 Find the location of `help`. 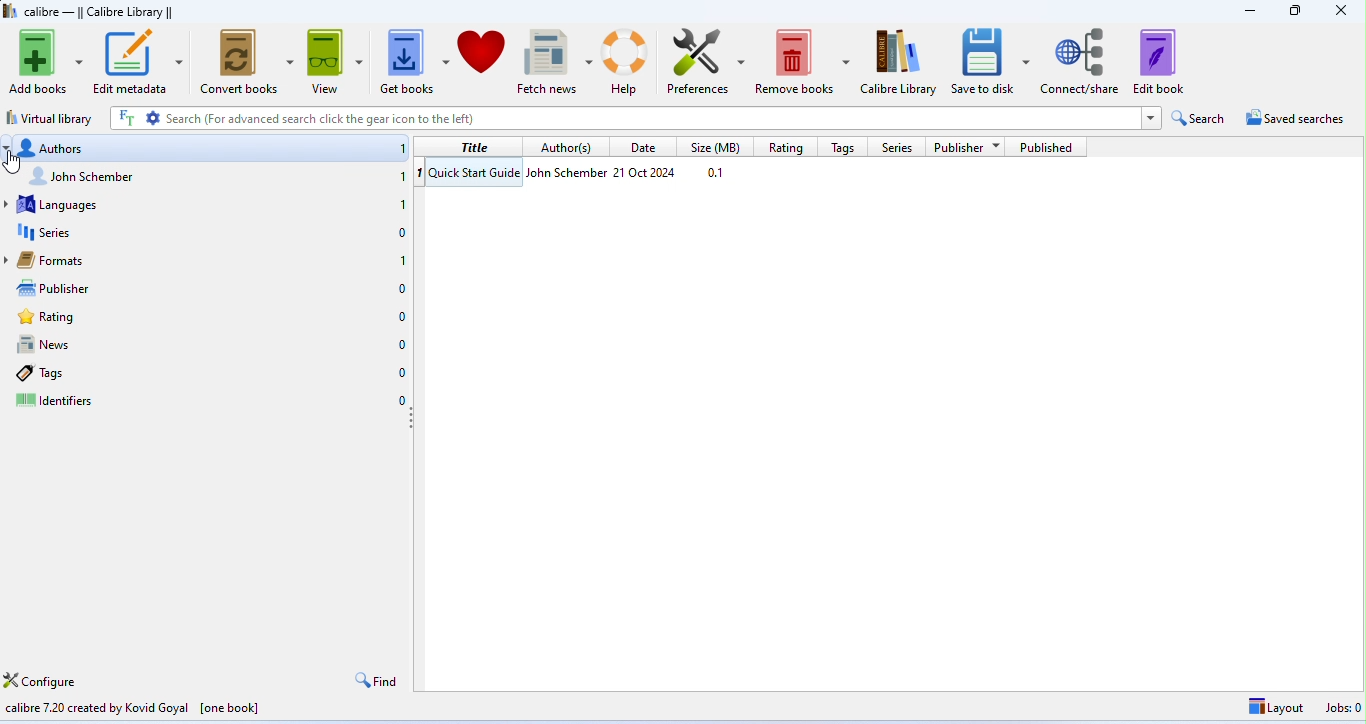

help is located at coordinates (626, 61).